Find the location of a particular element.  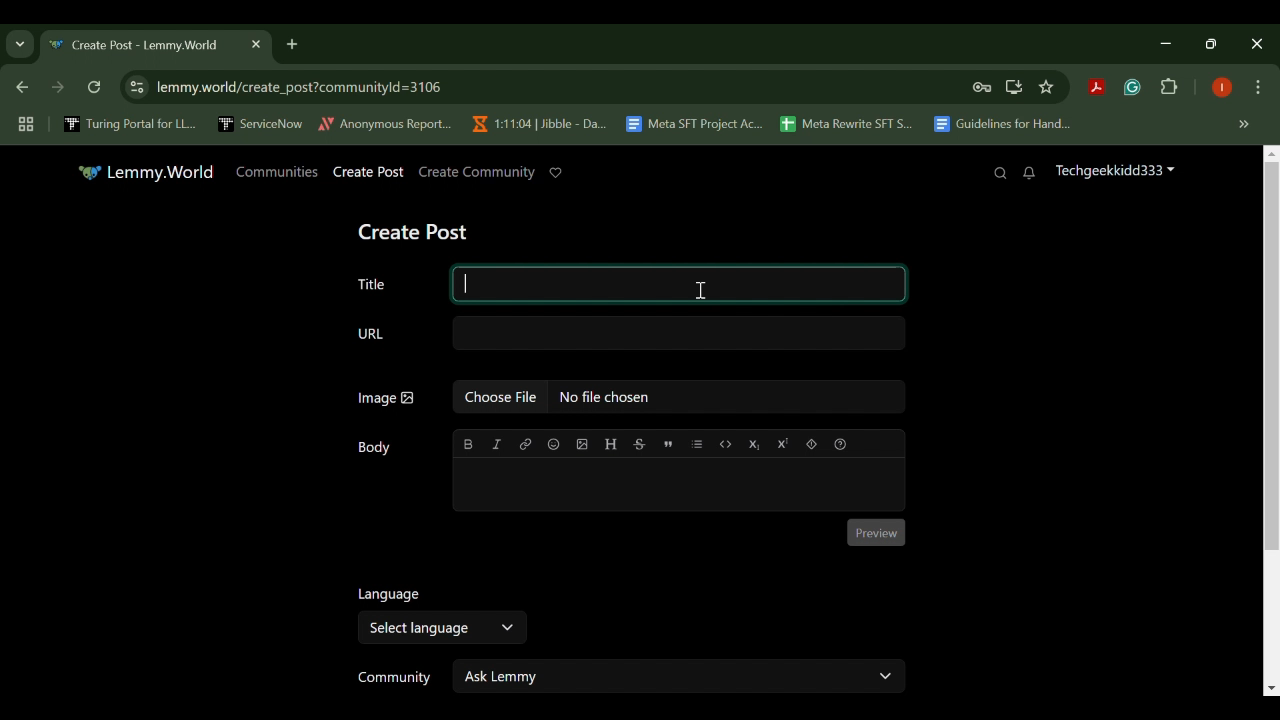

italic is located at coordinates (497, 444).